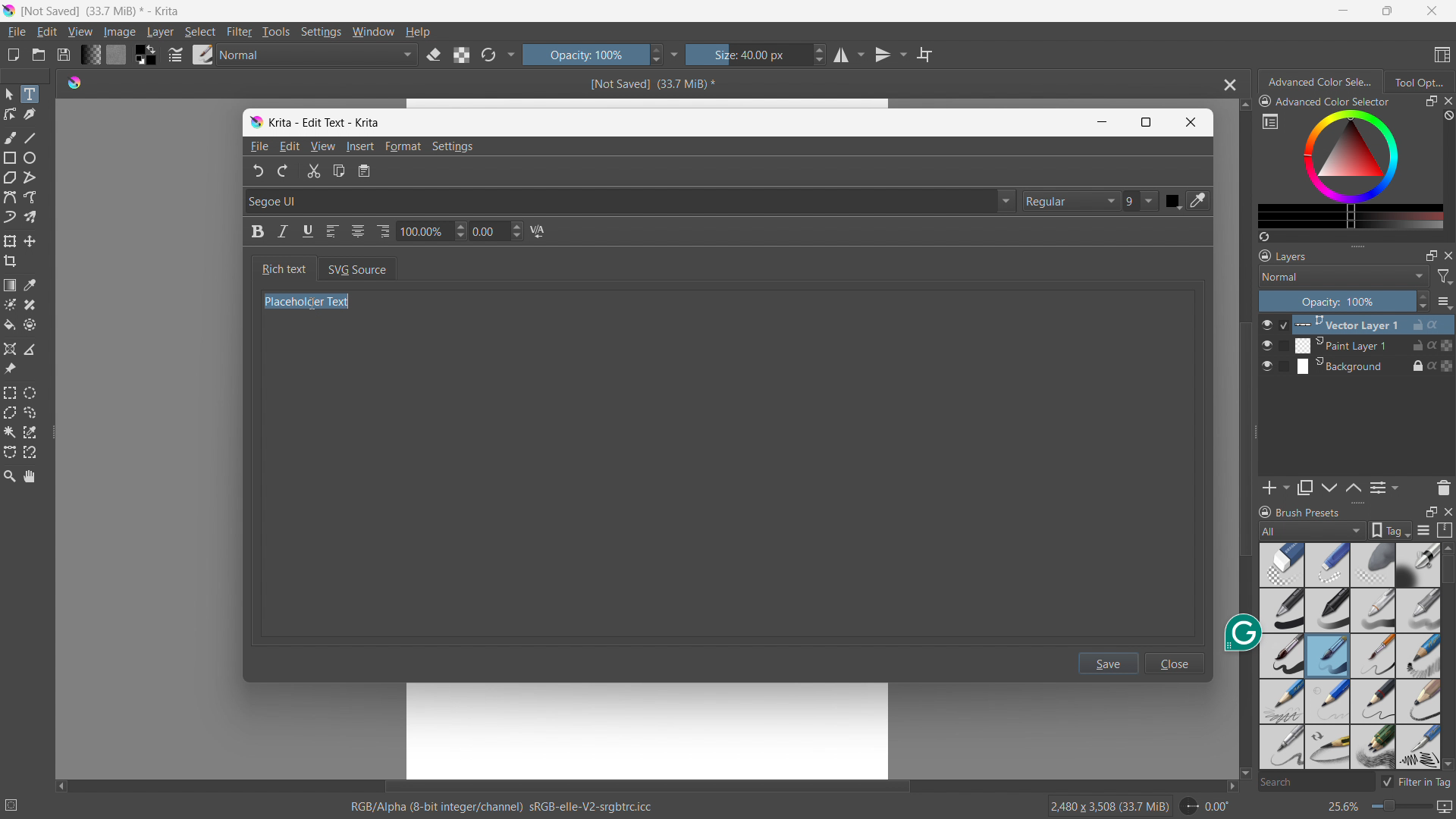 Image resolution: width=1456 pixels, height=819 pixels. I want to click on save, so click(1109, 663).